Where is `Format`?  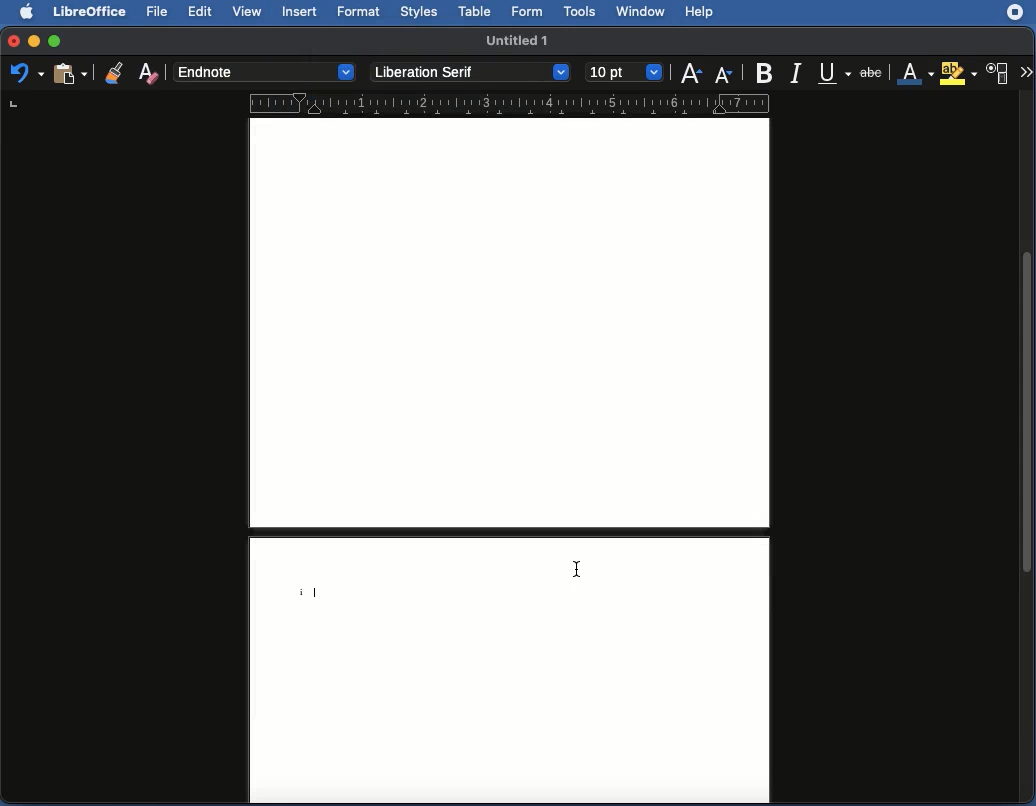
Format is located at coordinates (360, 12).